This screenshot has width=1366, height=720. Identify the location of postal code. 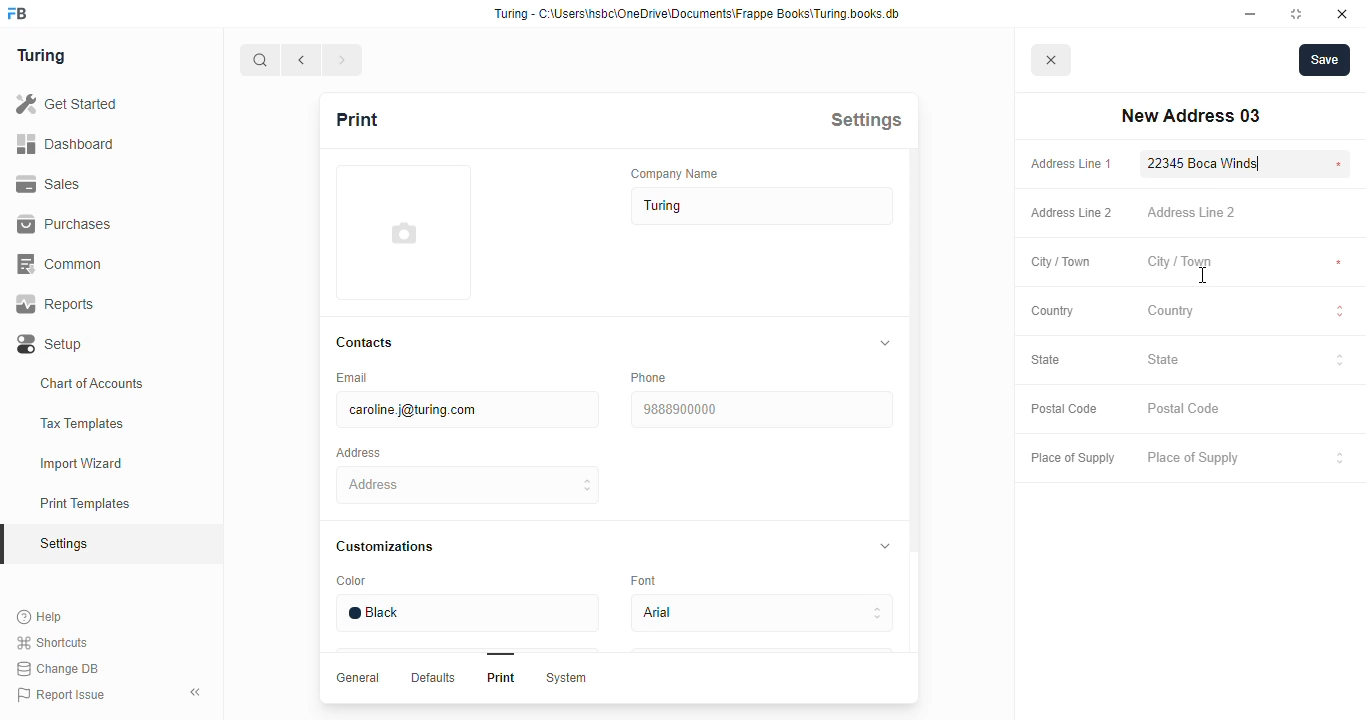
(1185, 409).